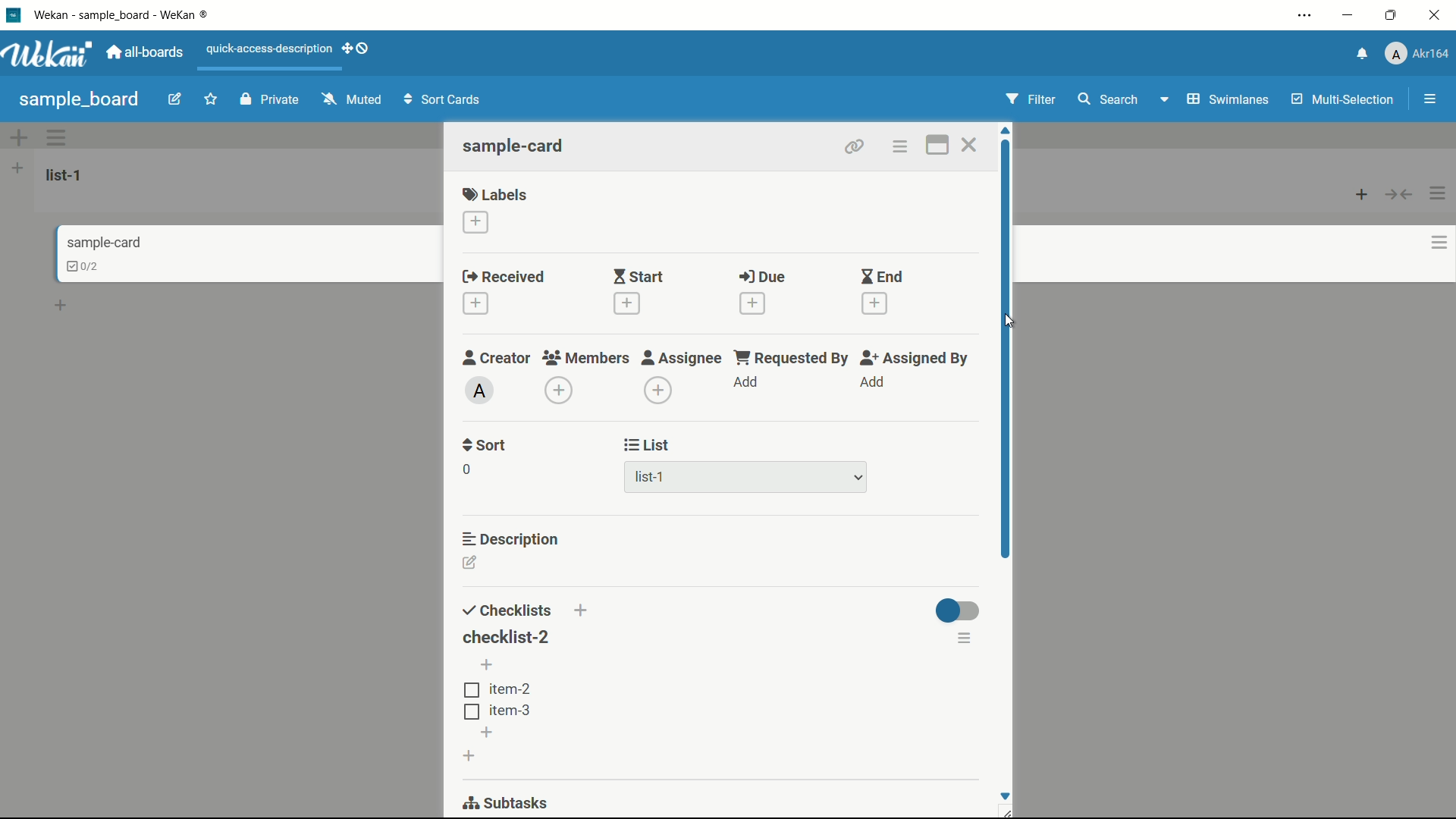 The image size is (1456, 819). I want to click on creator, so click(493, 358).